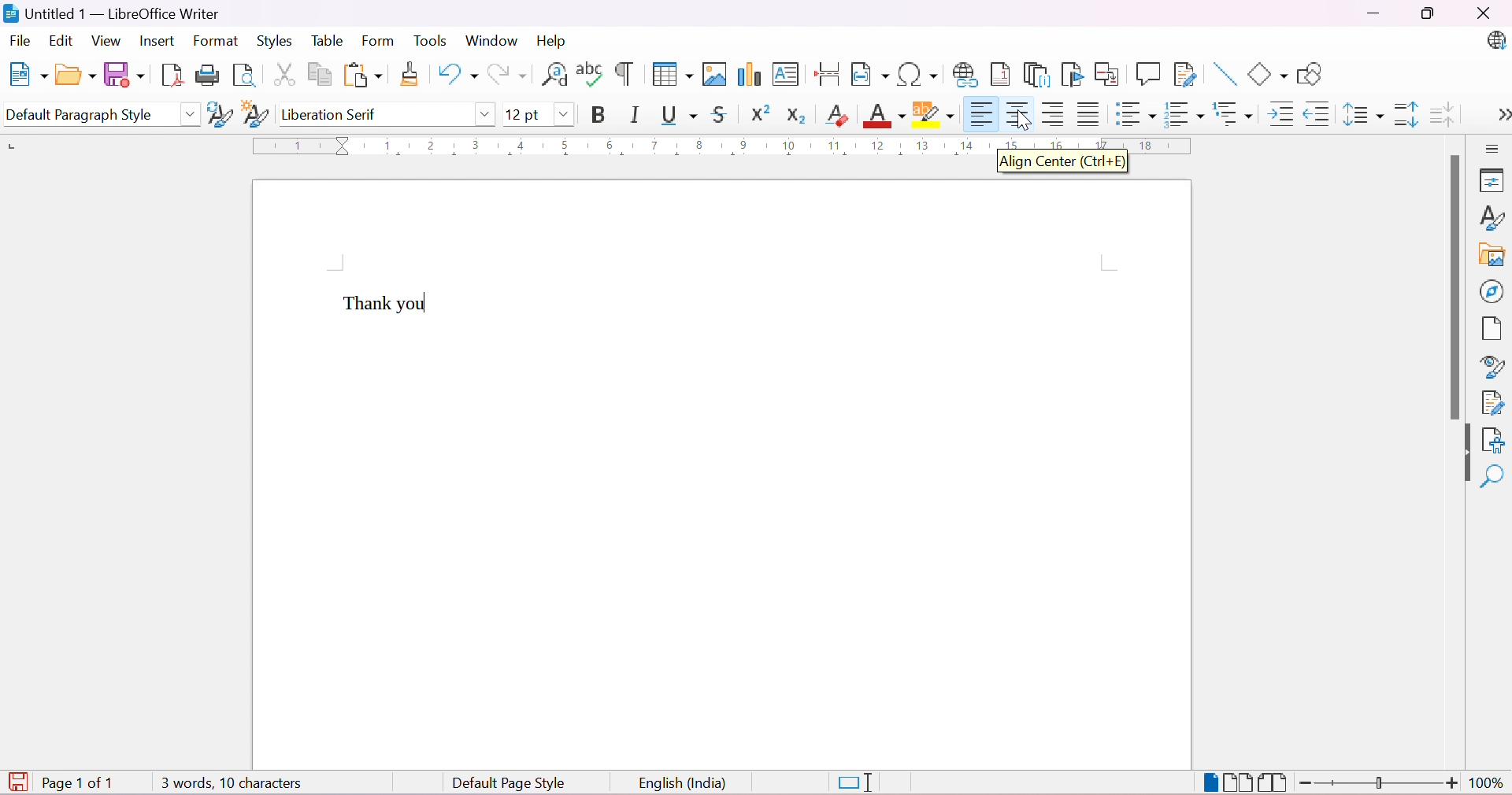 The image size is (1512, 795). I want to click on Bold, so click(603, 114).